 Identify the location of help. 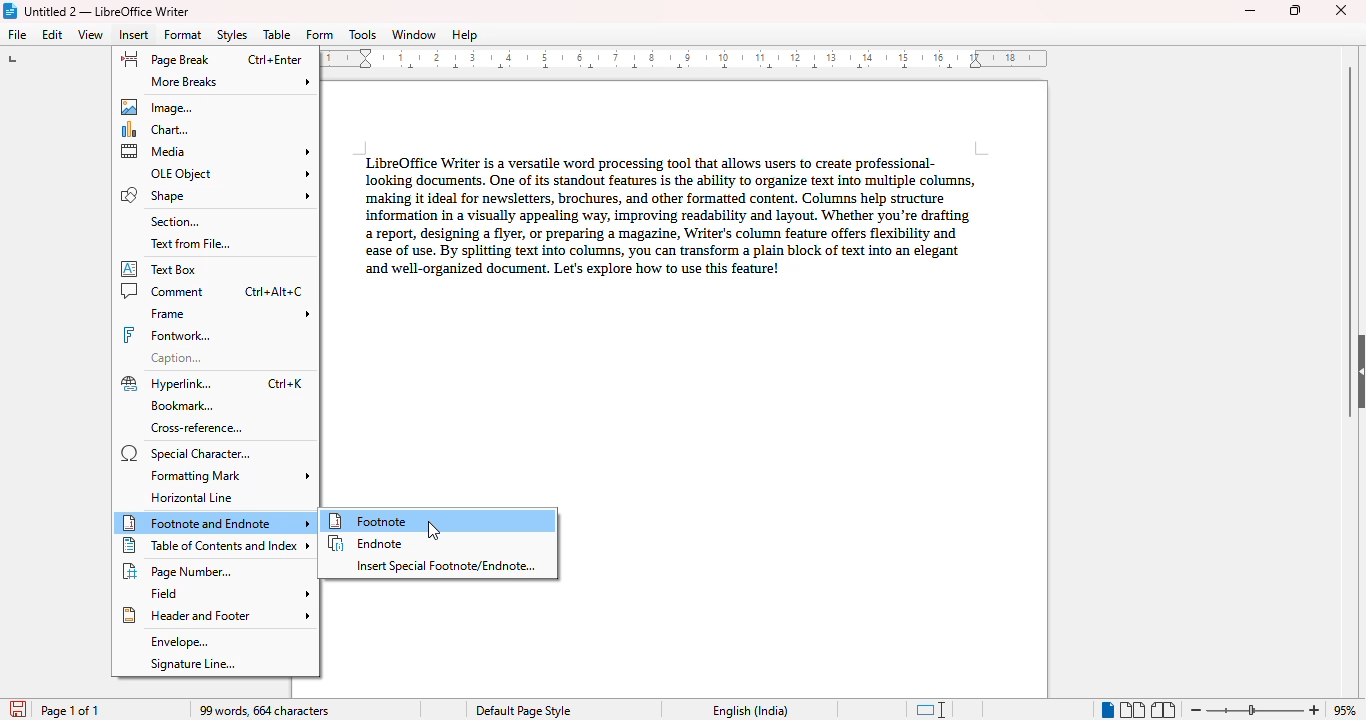
(464, 35).